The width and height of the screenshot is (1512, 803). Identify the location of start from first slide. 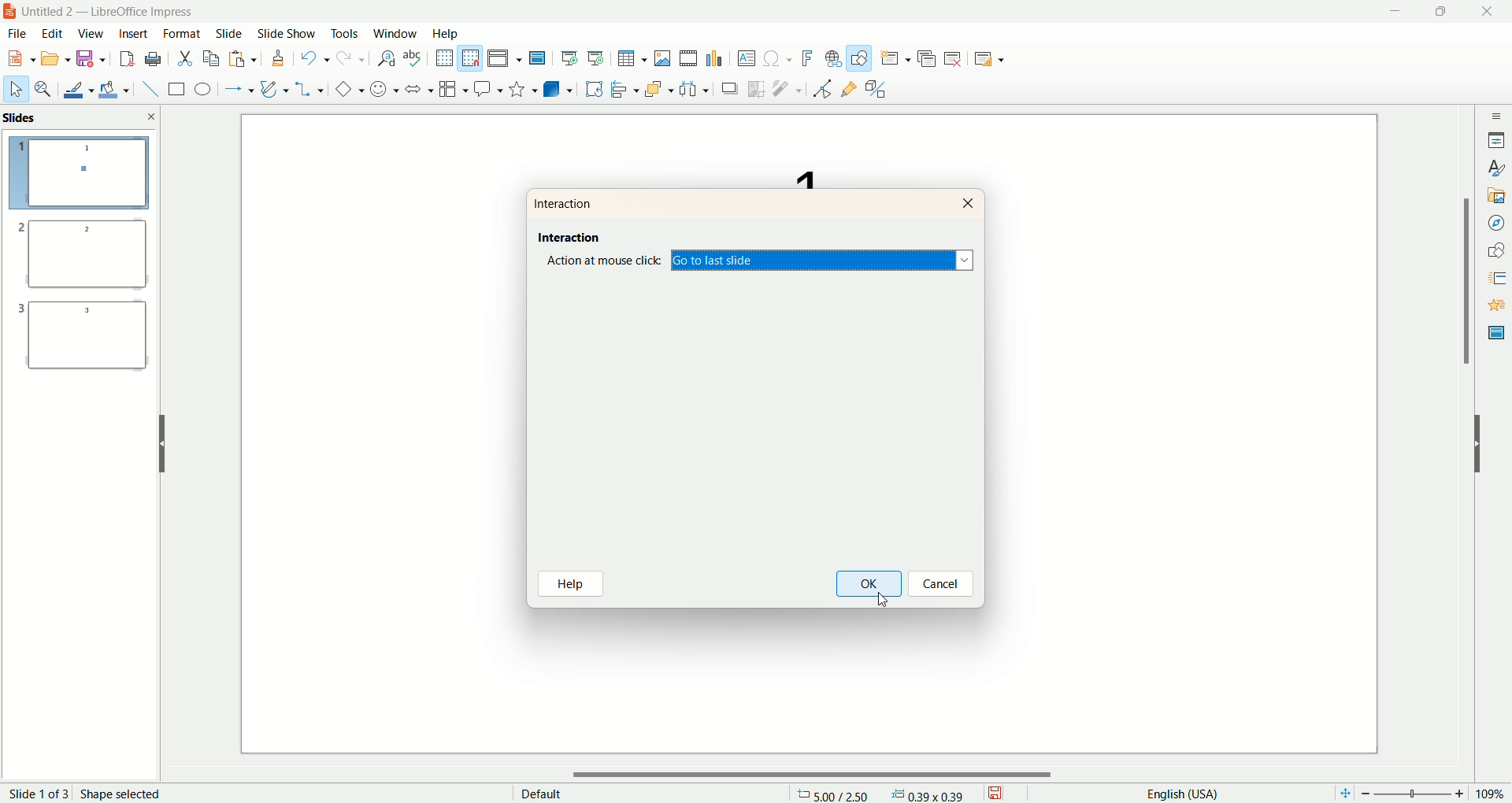
(570, 56).